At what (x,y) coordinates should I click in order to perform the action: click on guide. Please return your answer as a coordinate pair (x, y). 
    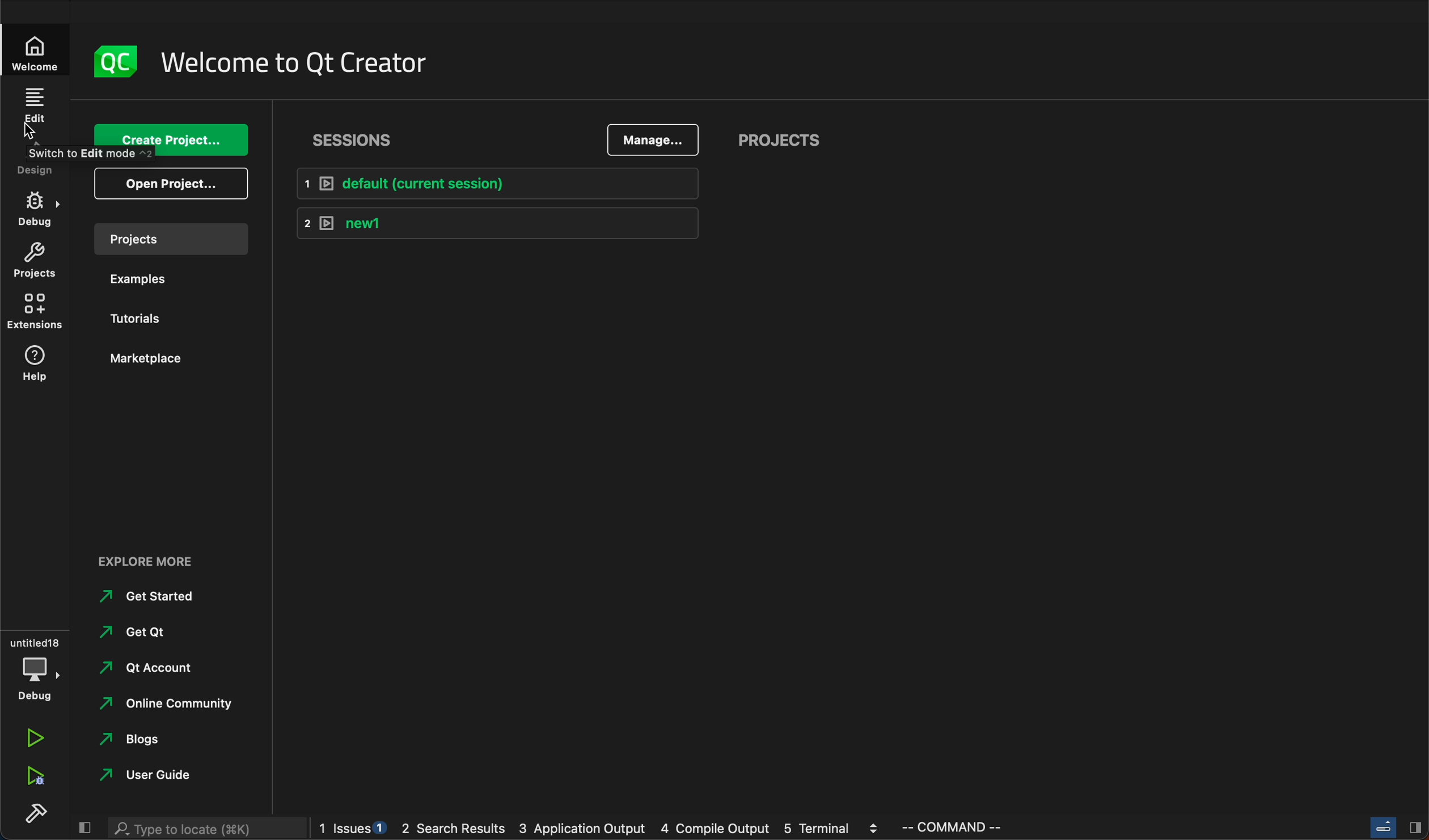
    Looking at the image, I should click on (154, 776).